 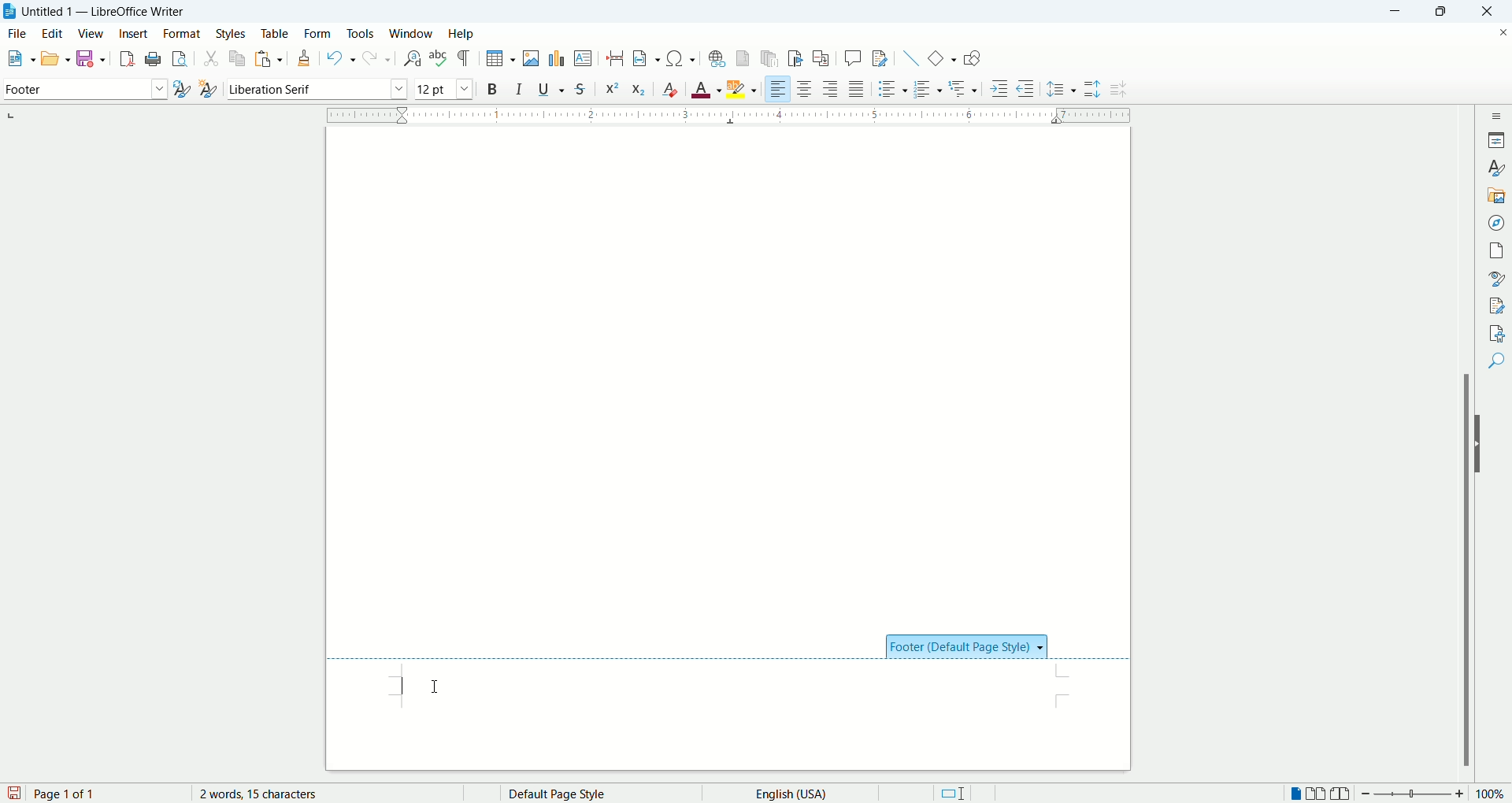 I want to click on underline, so click(x=554, y=89).